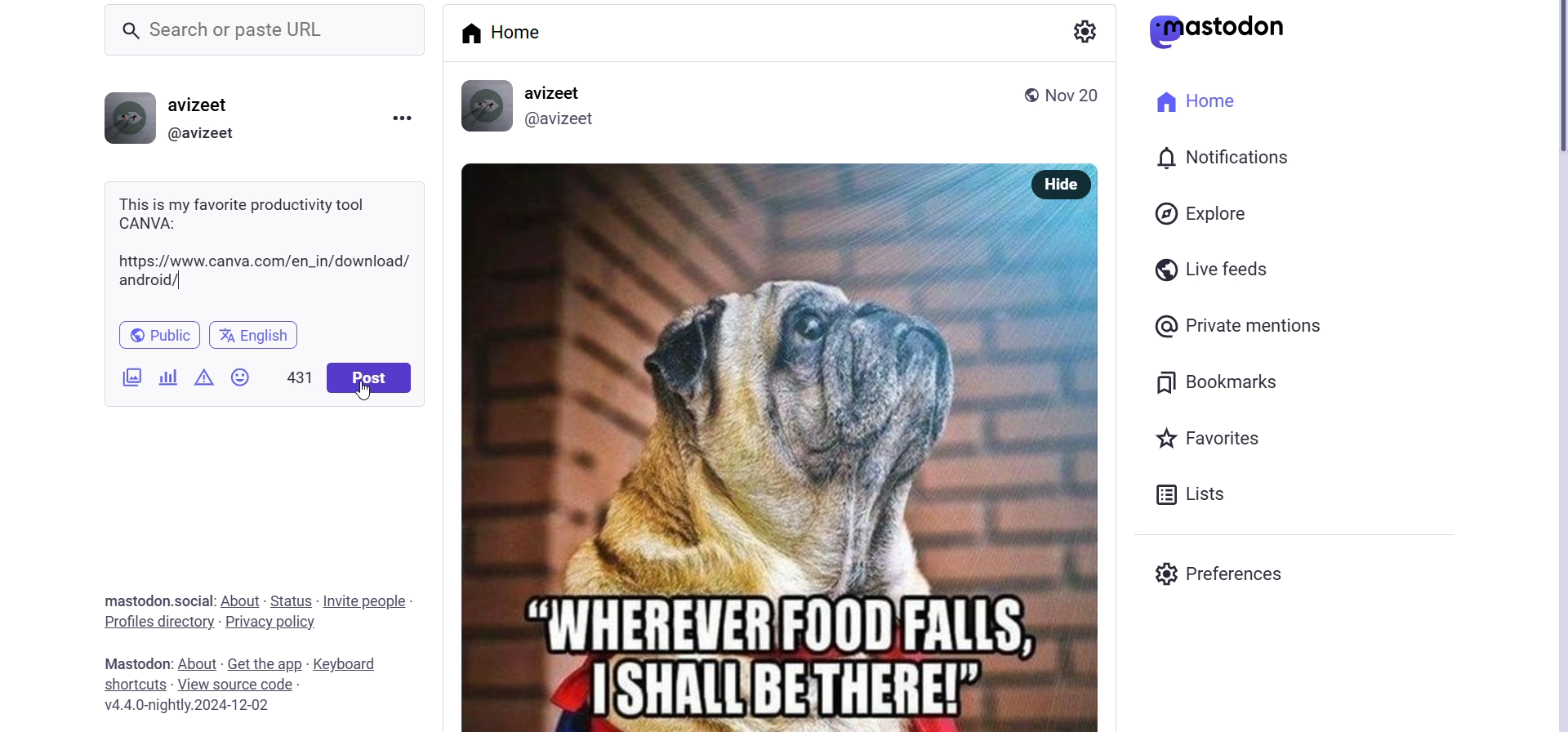 The width and height of the screenshot is (1568, 732). Describe the element at coordinates (368, 378) in the screenshot. I see `post` at that location.